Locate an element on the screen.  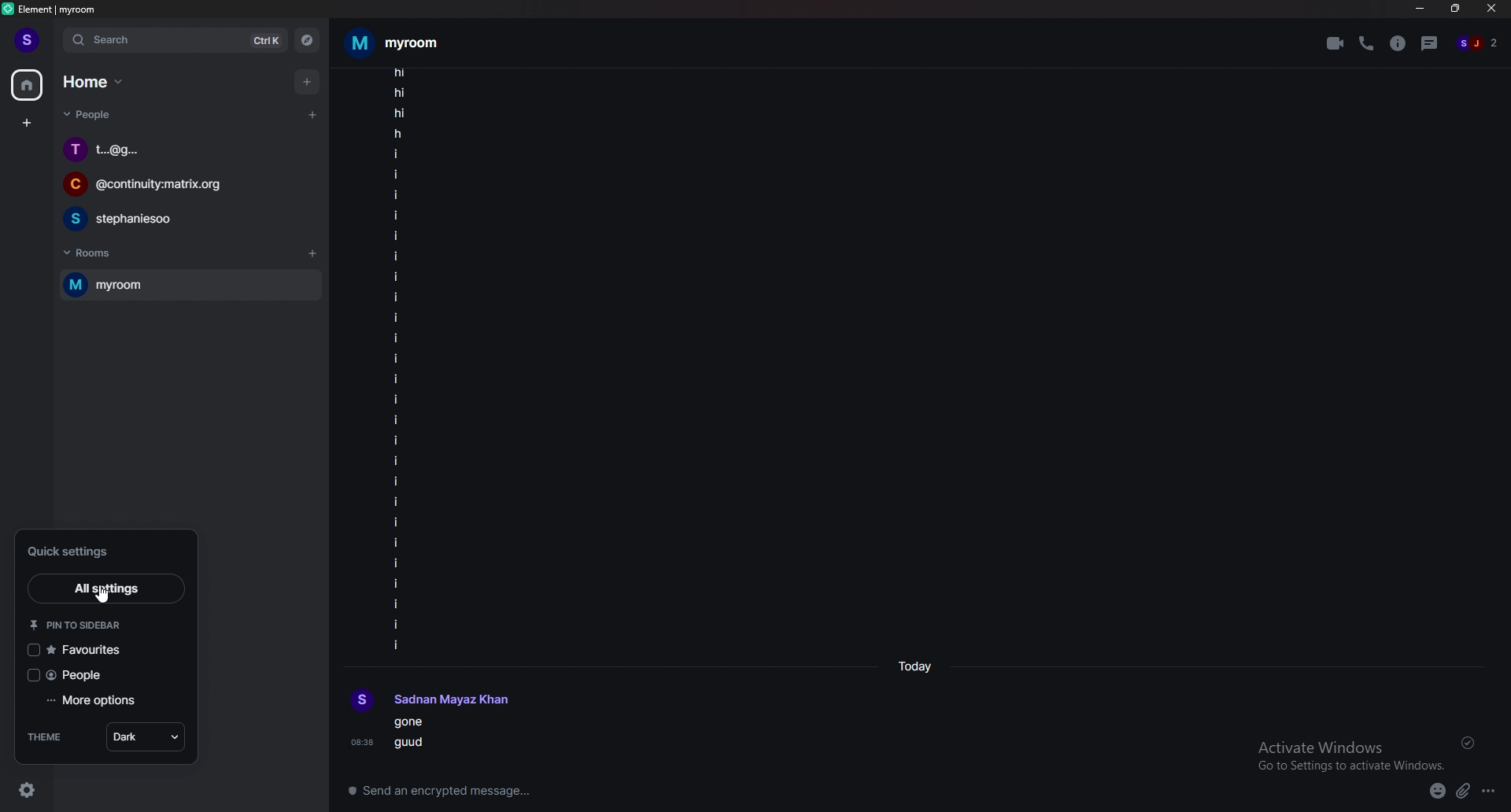
chat is located at coordinates (180, 219).